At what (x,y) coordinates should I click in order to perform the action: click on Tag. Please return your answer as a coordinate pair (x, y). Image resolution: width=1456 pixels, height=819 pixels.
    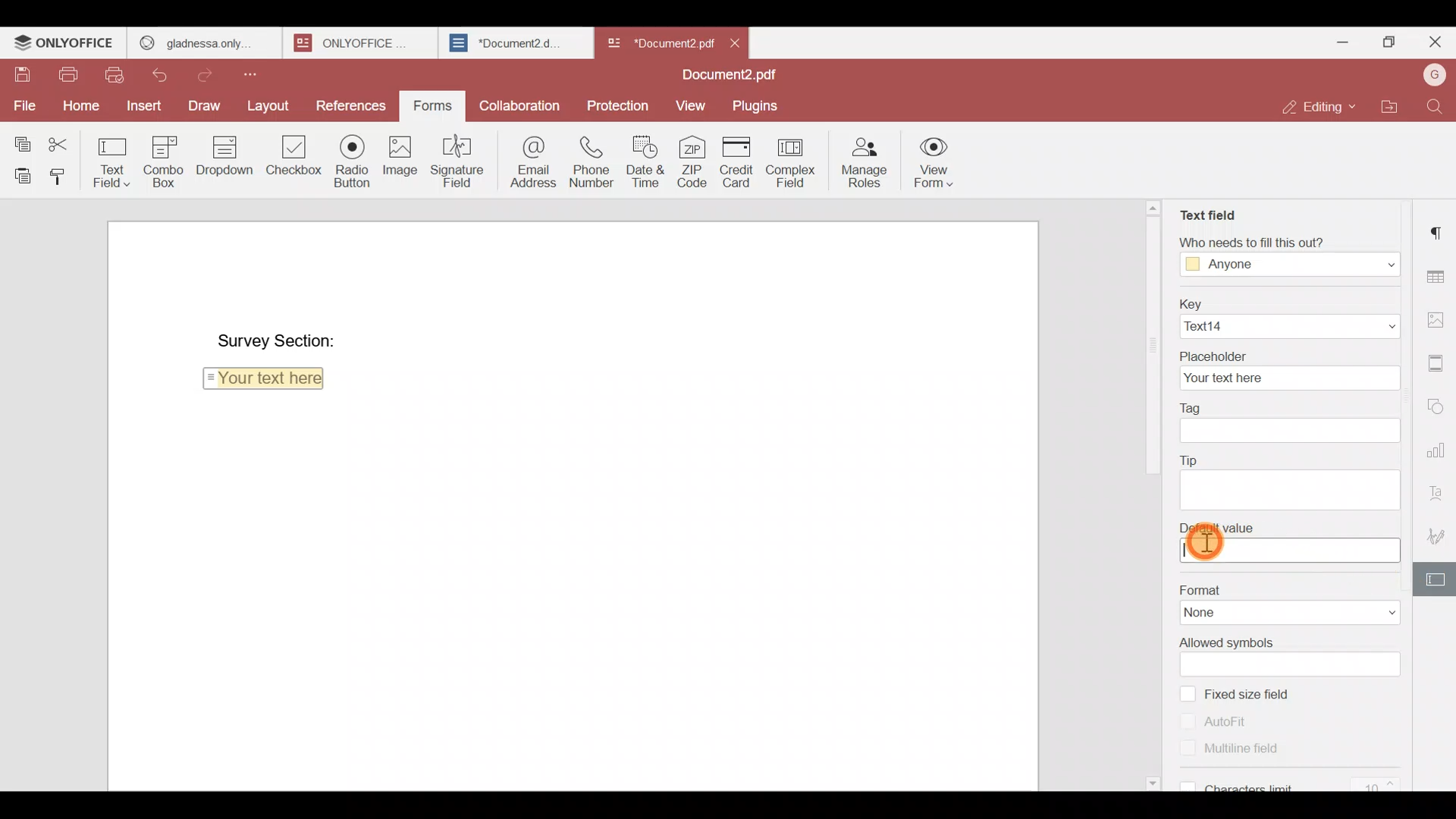
    Looking at the image, I should click on (1284, 405).